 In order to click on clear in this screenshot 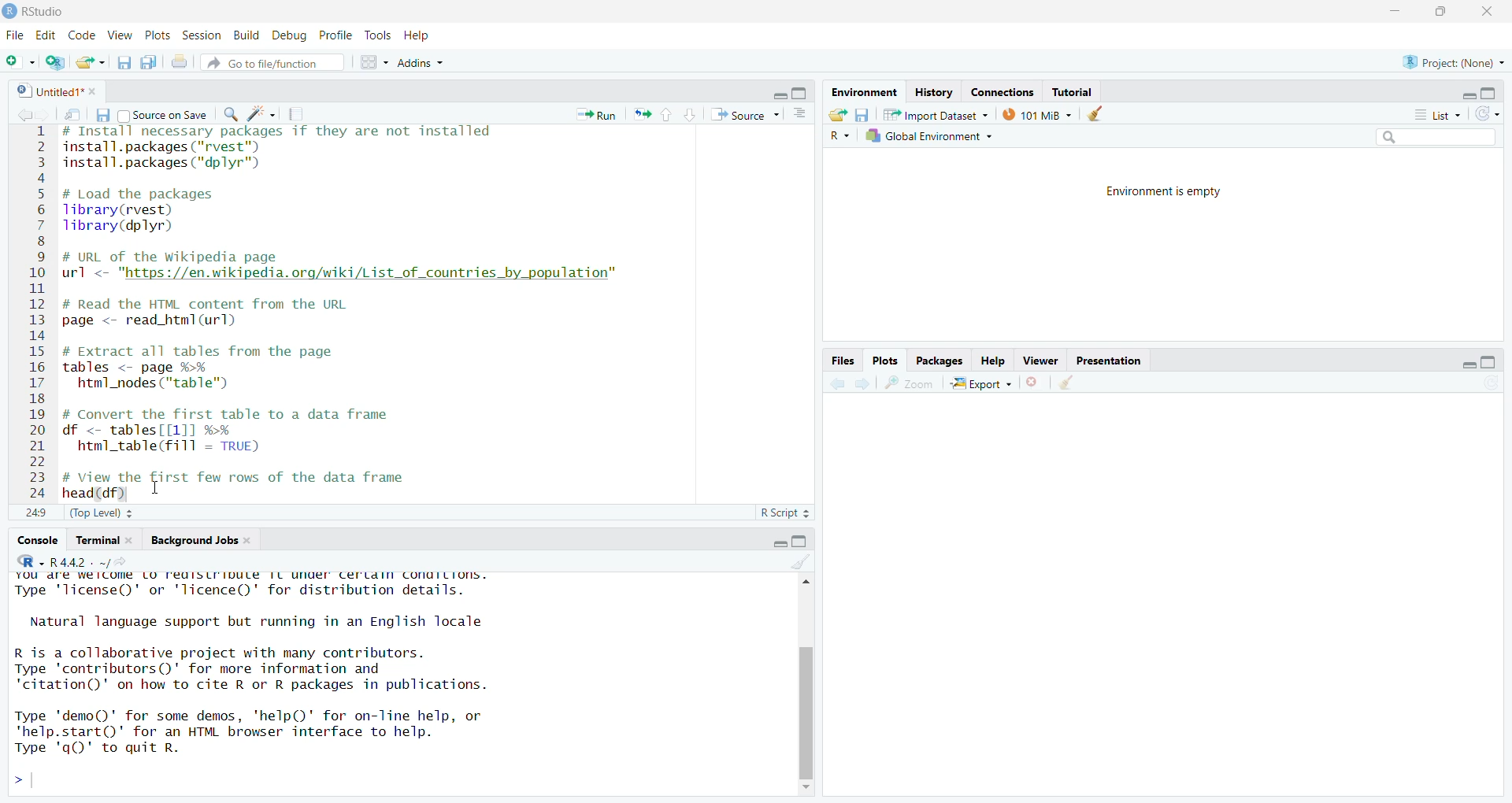, I will do `click(1065, 382)`.